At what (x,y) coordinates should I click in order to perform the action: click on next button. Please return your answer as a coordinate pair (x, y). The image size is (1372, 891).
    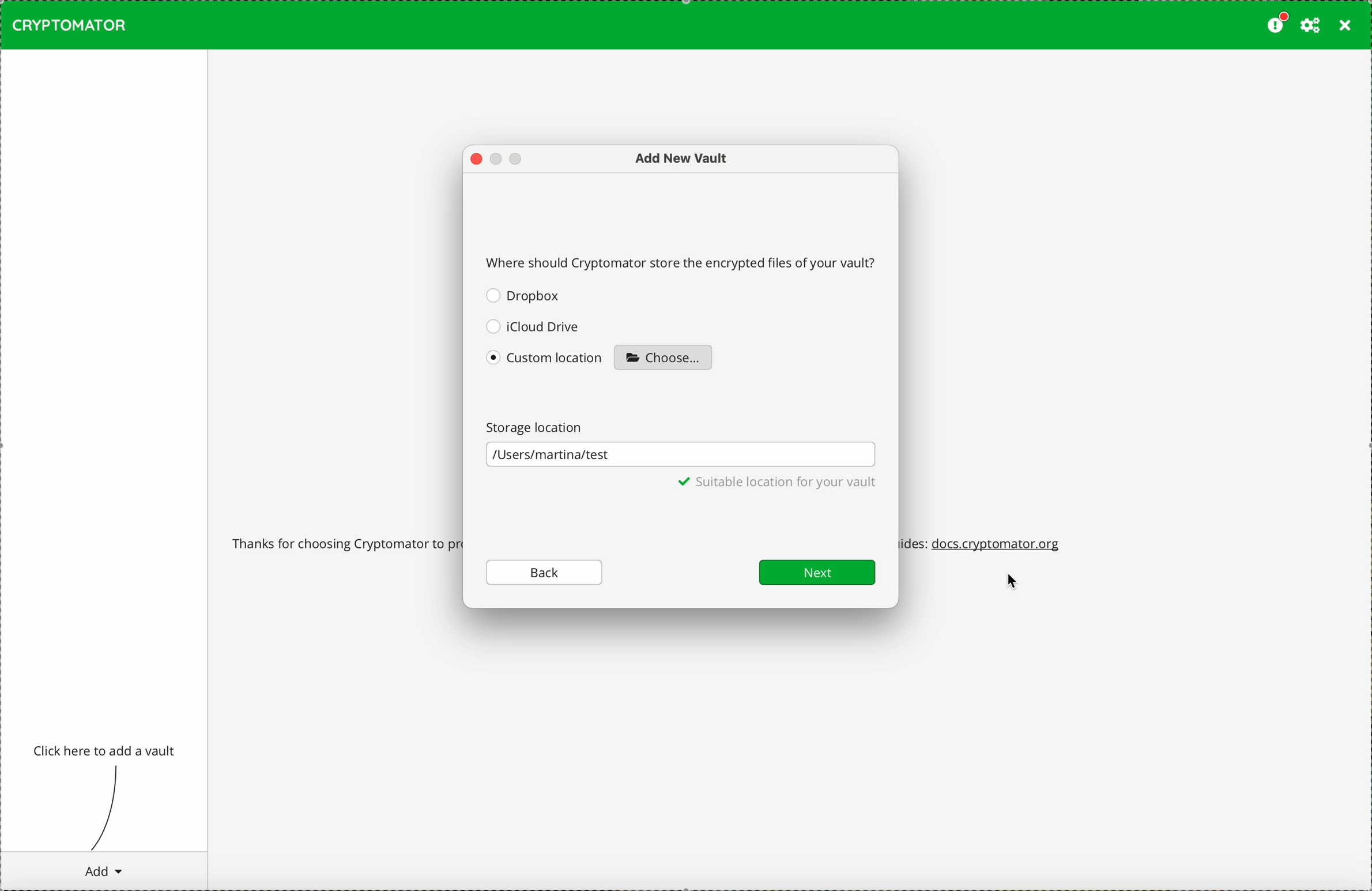
    Looking at the image, I should click on (817, 572).